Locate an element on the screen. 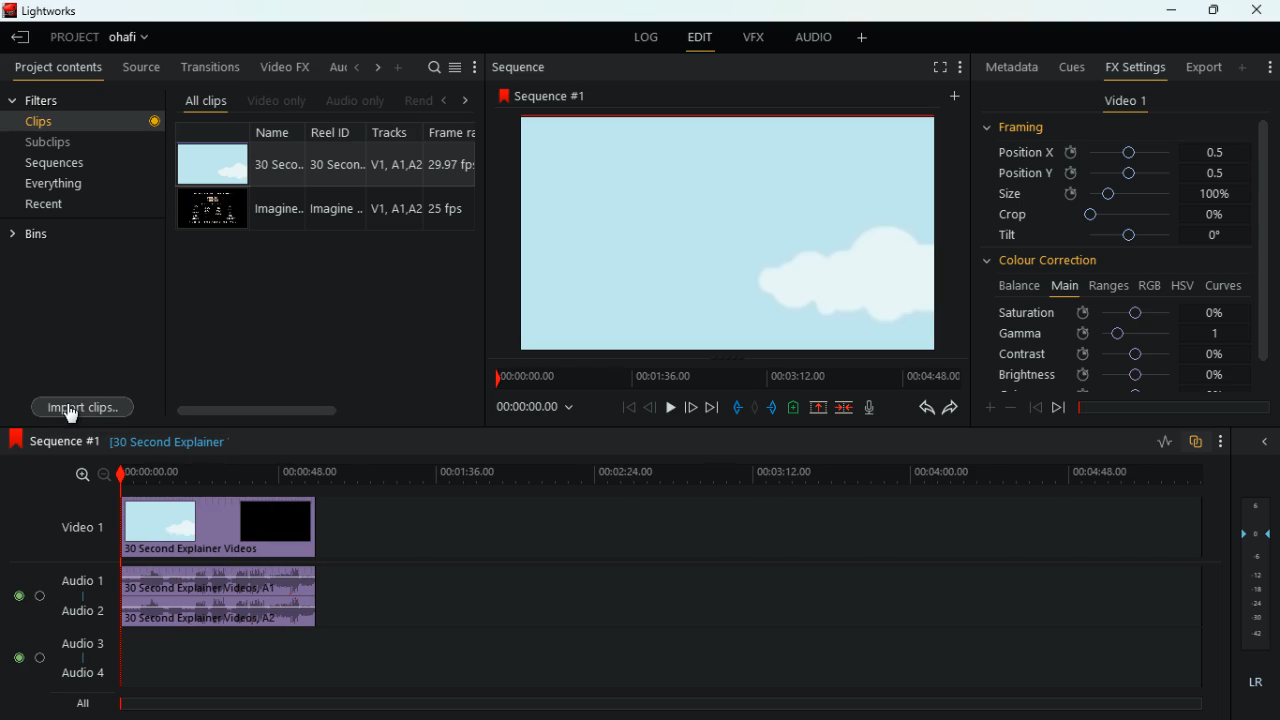 This screenshot has height=720, width=1280. audio 4 is located at coordinates (82, 672).